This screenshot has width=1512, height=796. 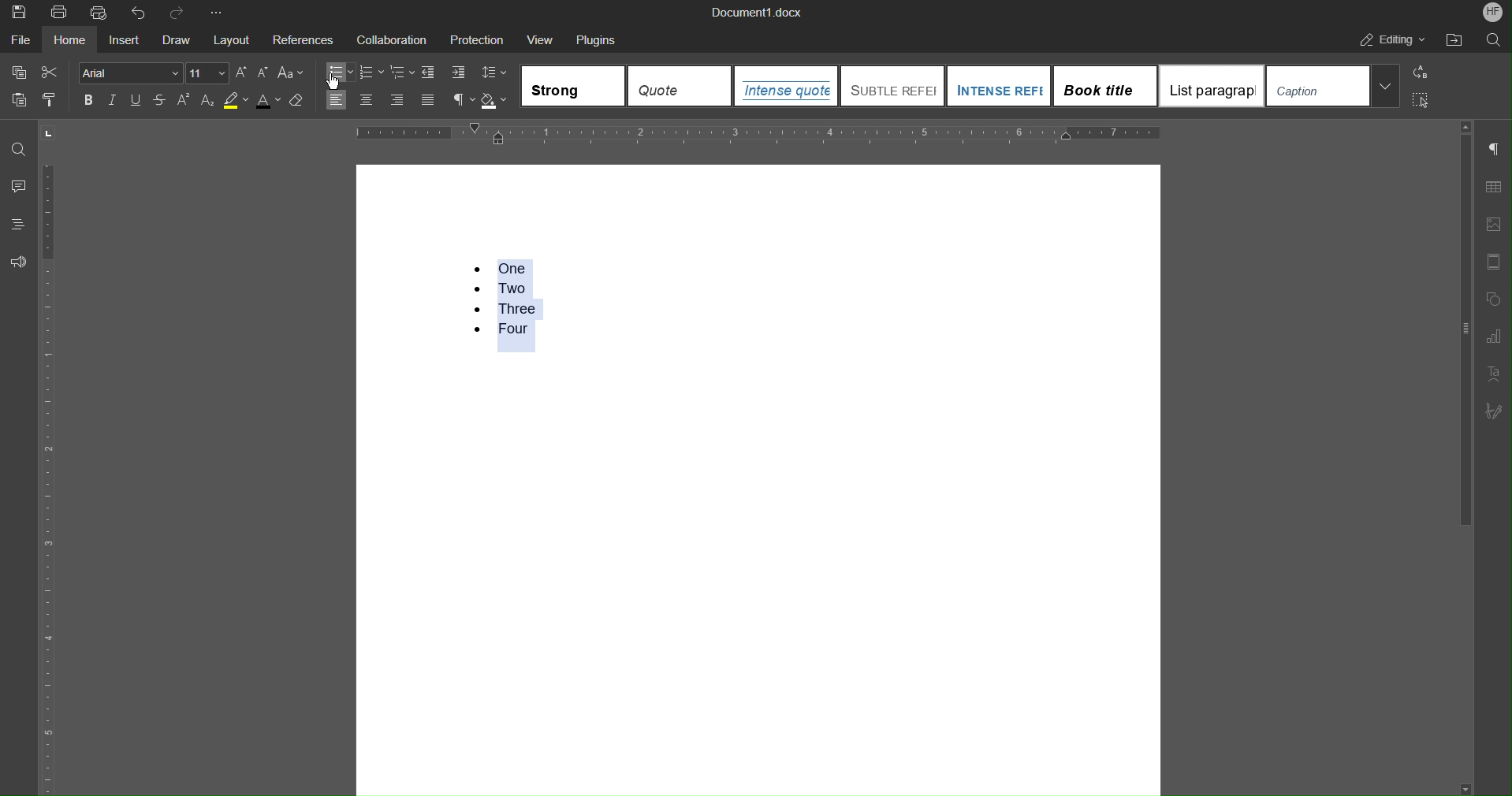 What do you see at coordinates (676, 85) in the screenshot?
I see `Quote` at bounding box center [676, 85].